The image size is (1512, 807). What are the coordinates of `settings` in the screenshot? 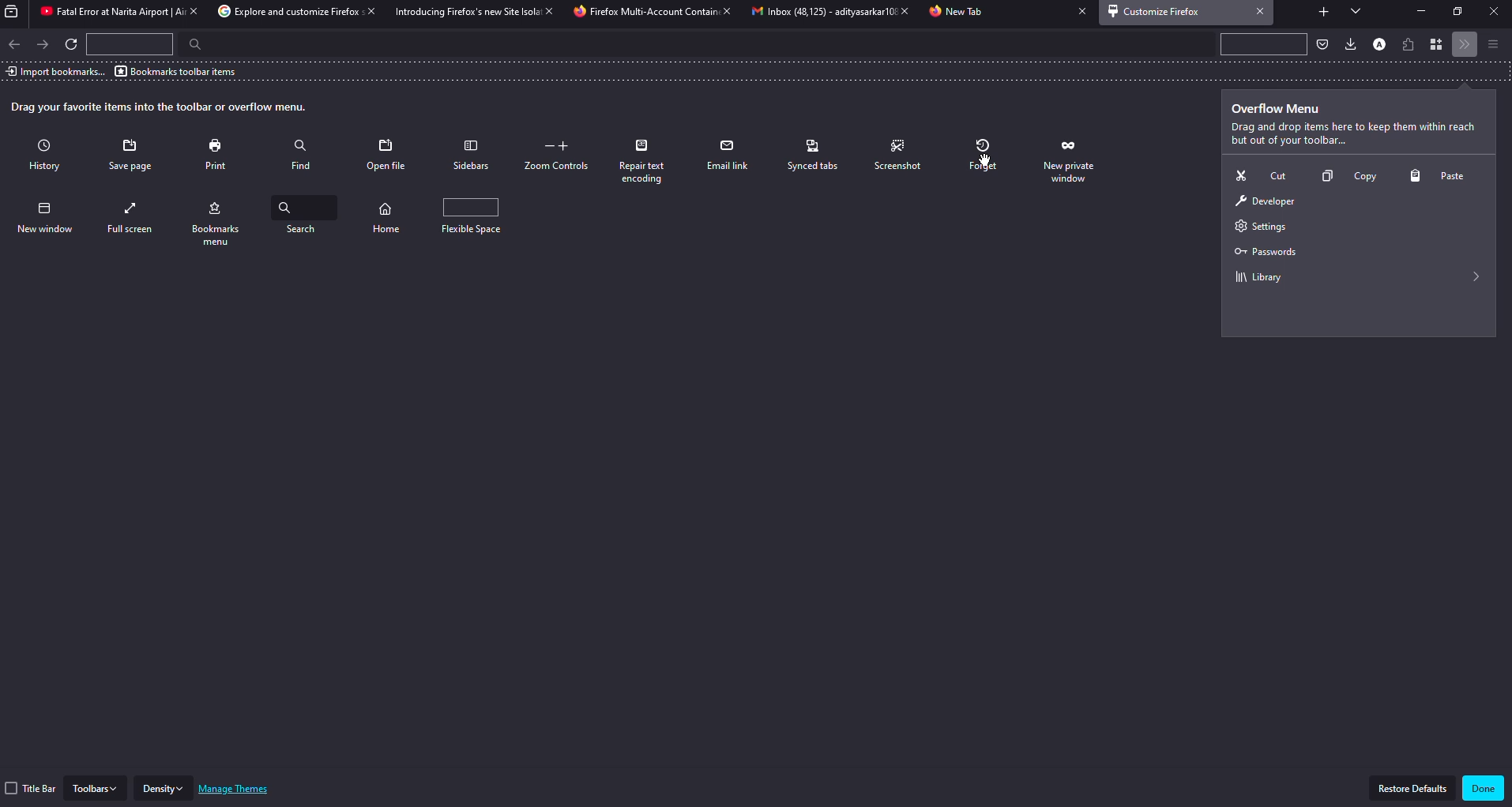 It's located at (1257, 227).